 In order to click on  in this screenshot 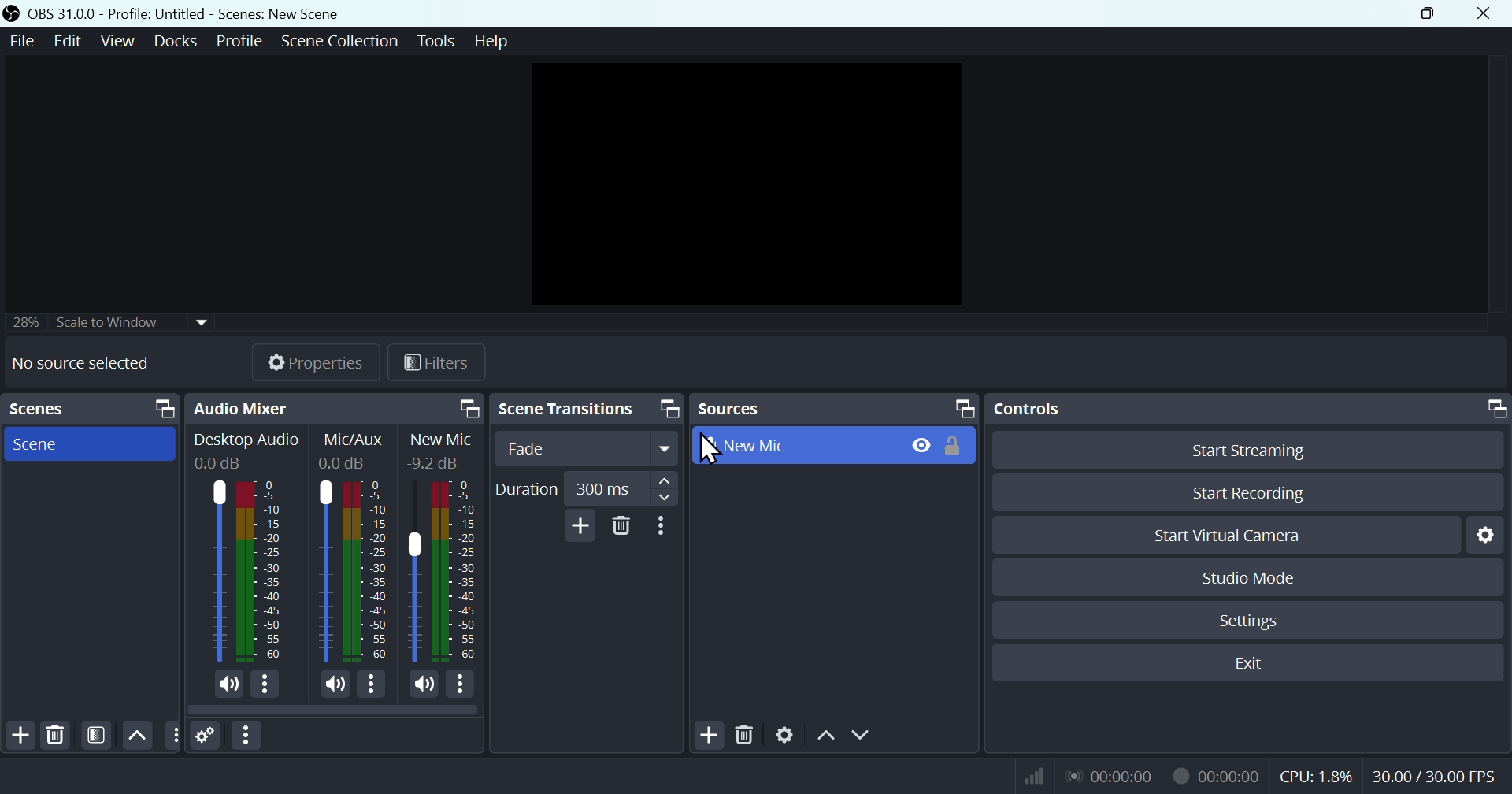, I will do `click(174, 736)`.